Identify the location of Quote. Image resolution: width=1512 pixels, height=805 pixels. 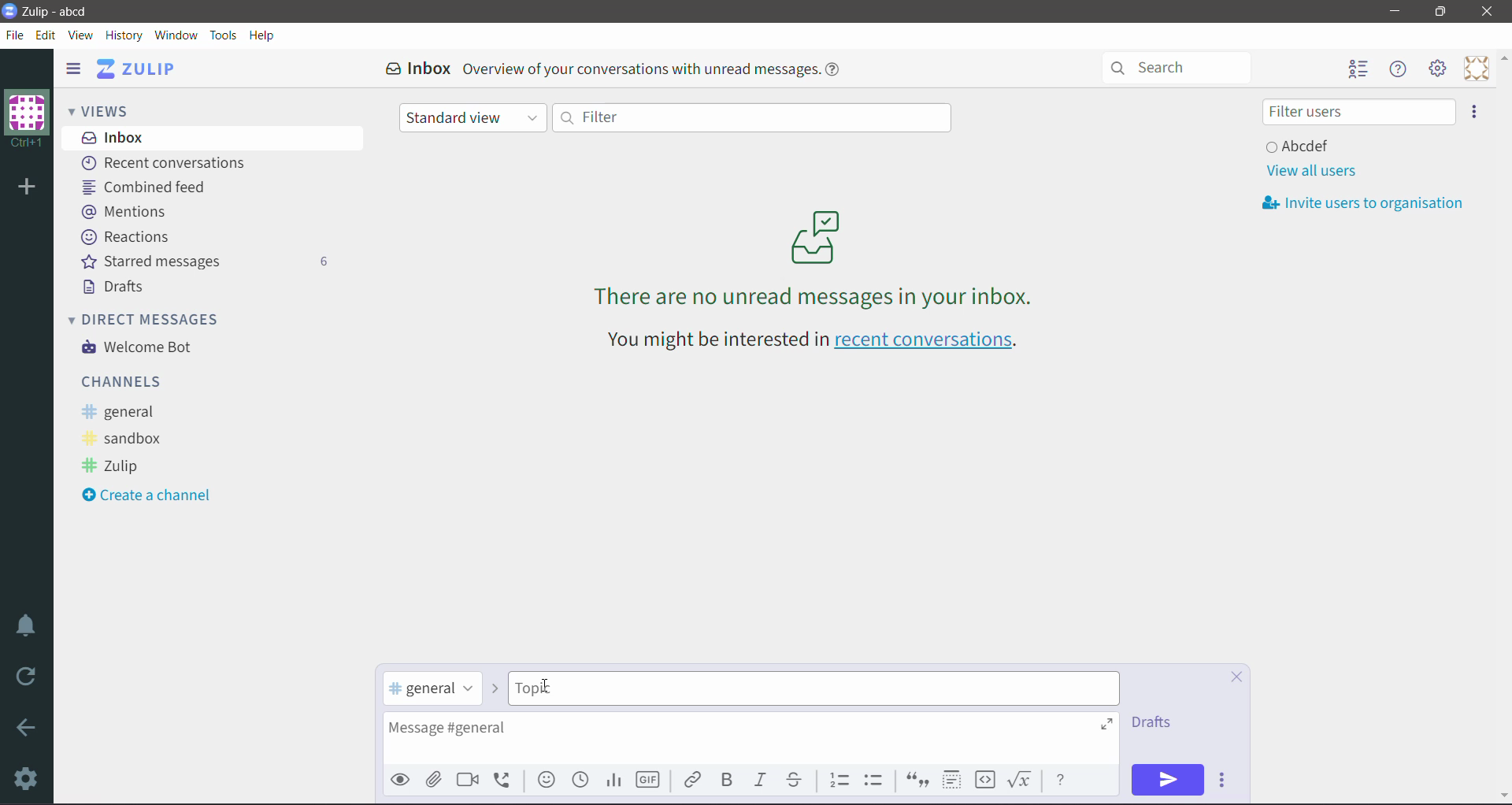
(916, 781).